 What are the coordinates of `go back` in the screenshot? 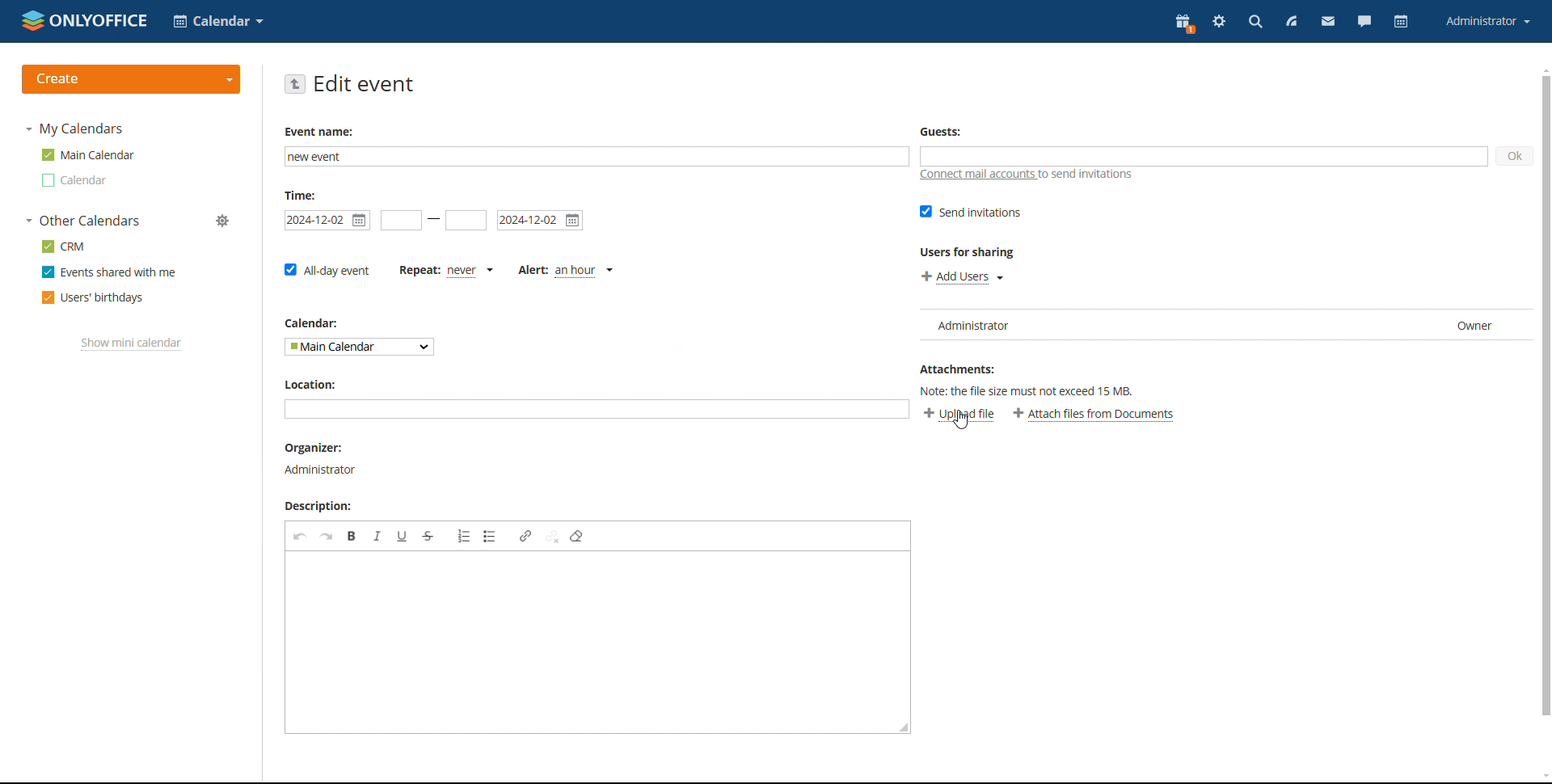 It's located at (294, 84).